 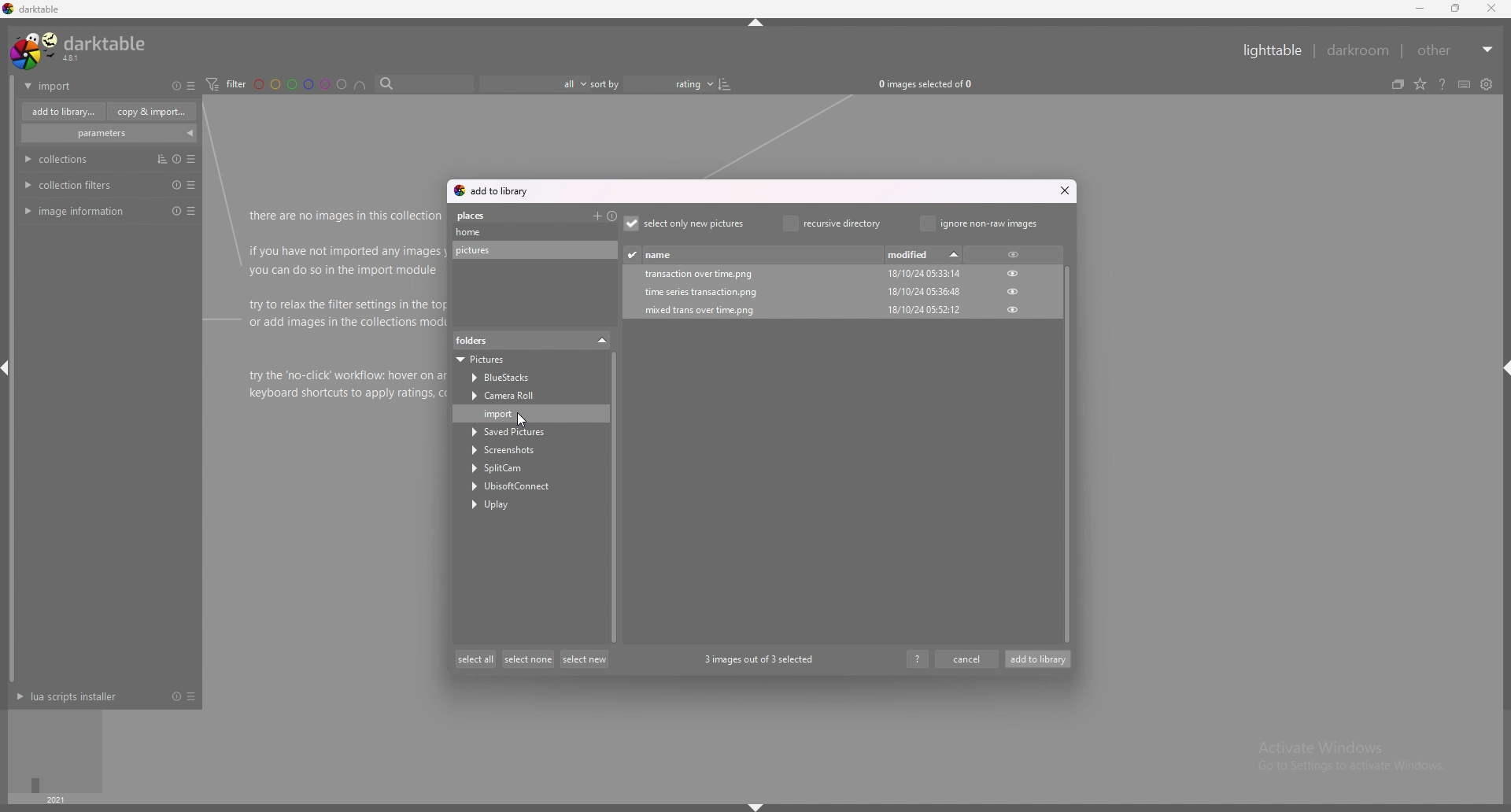 I want to click on filter, so click(x=226, y=84).